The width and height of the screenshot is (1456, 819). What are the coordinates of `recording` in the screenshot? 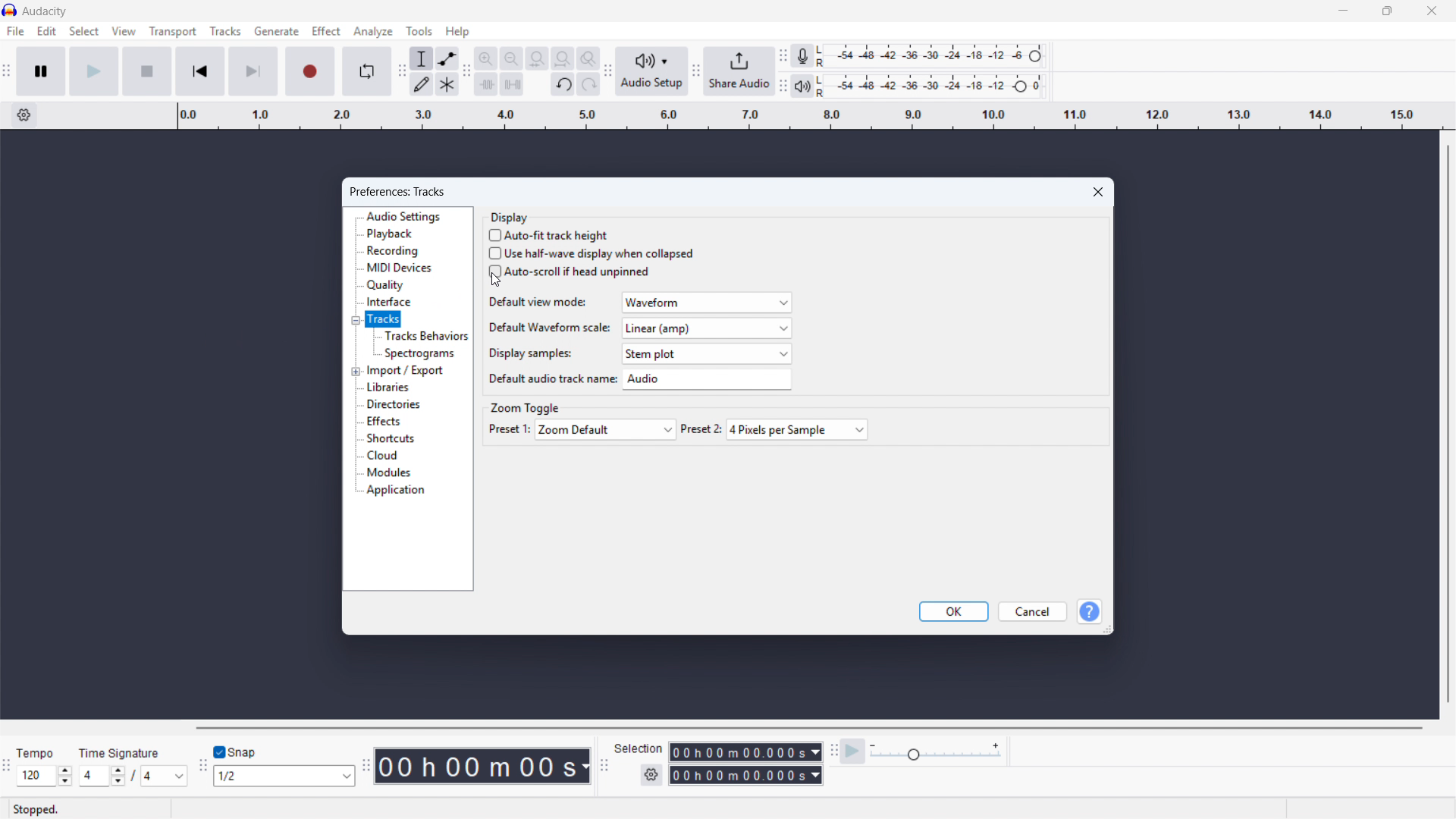 It's located at (394, 250).